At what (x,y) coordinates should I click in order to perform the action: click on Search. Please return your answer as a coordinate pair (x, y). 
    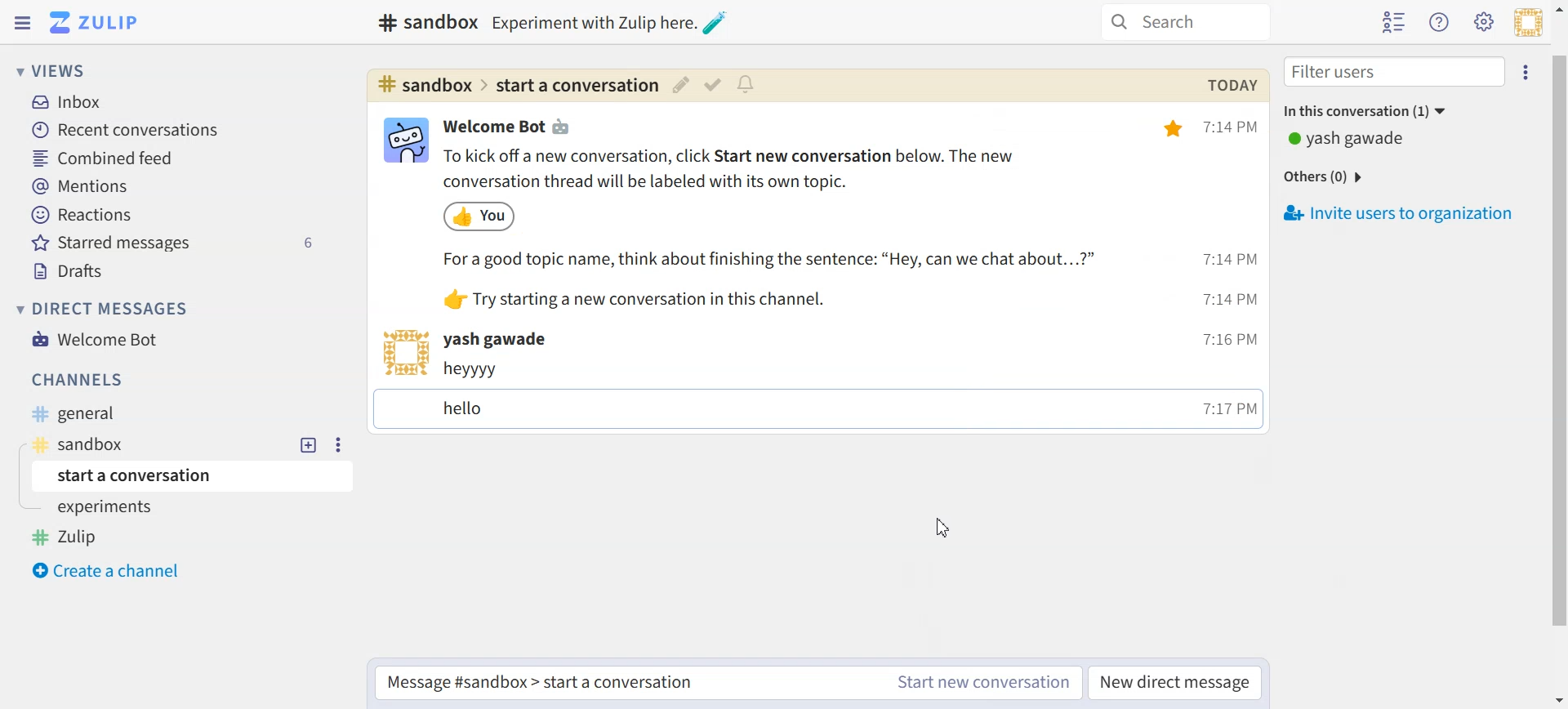
    Looking at the image, I should click on (1186, 22).